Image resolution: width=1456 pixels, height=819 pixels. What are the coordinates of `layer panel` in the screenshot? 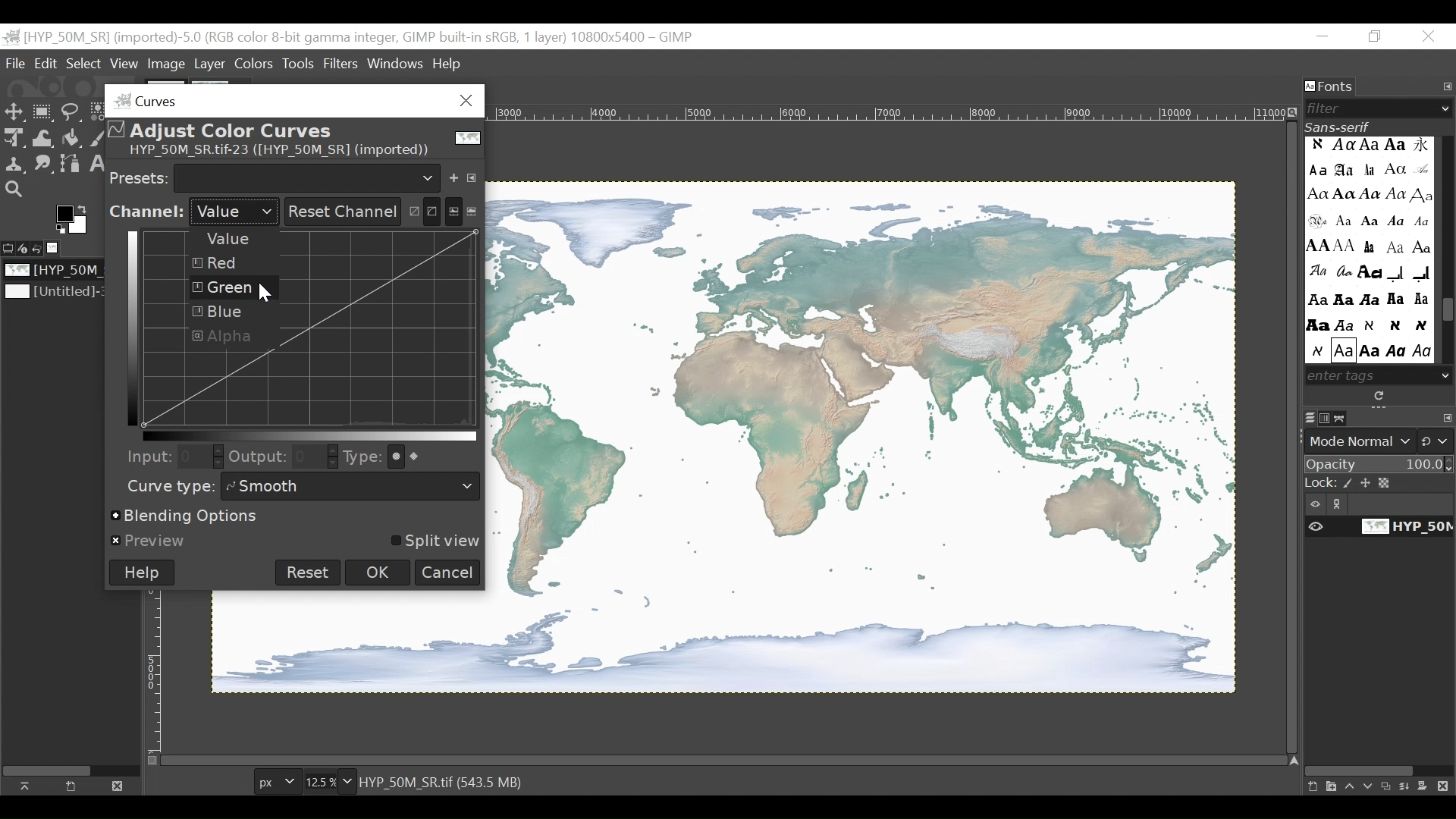 It's located at (1375, 782).